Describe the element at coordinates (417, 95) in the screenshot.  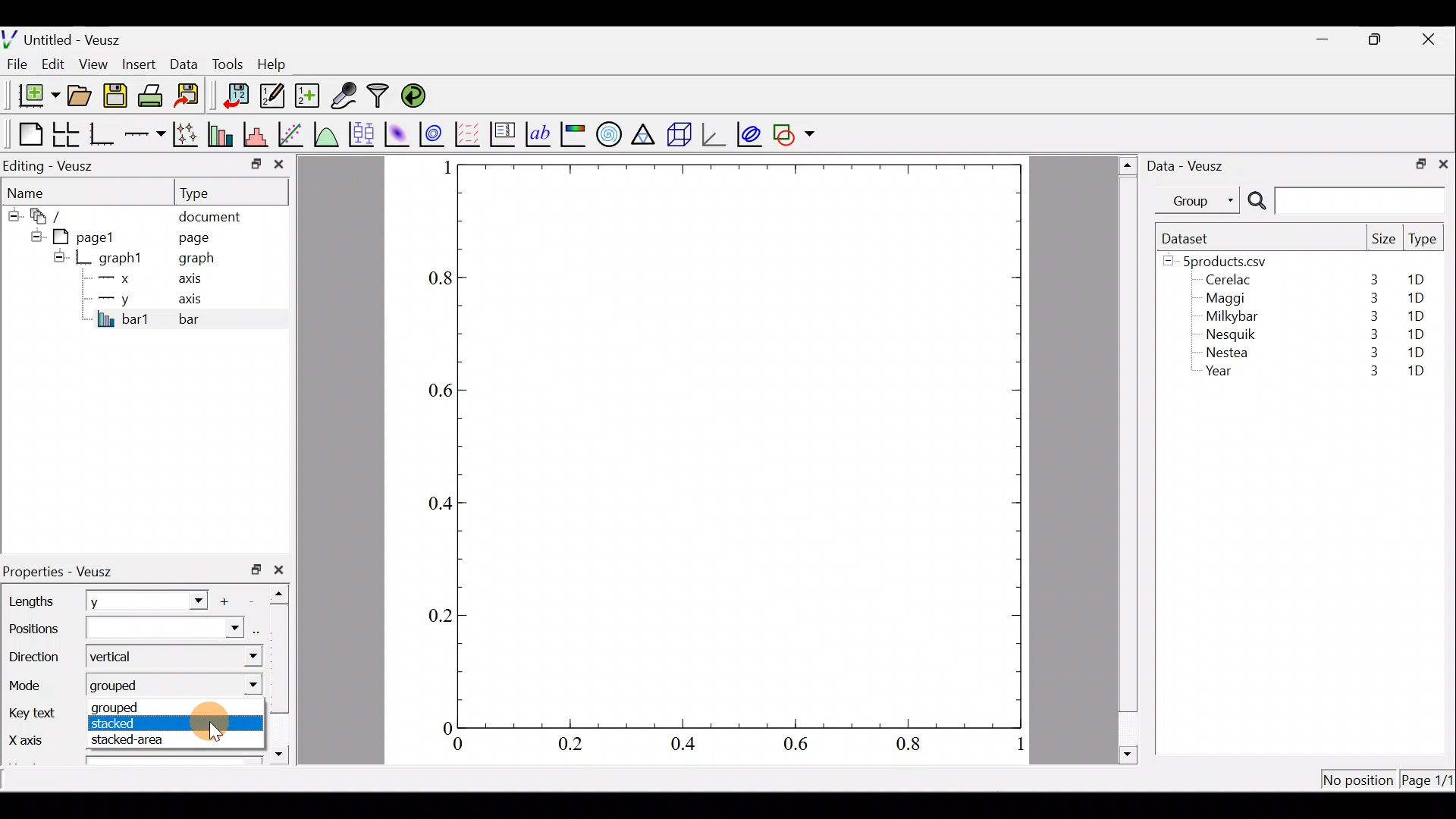
I see `Reload linked datasets` at that location.